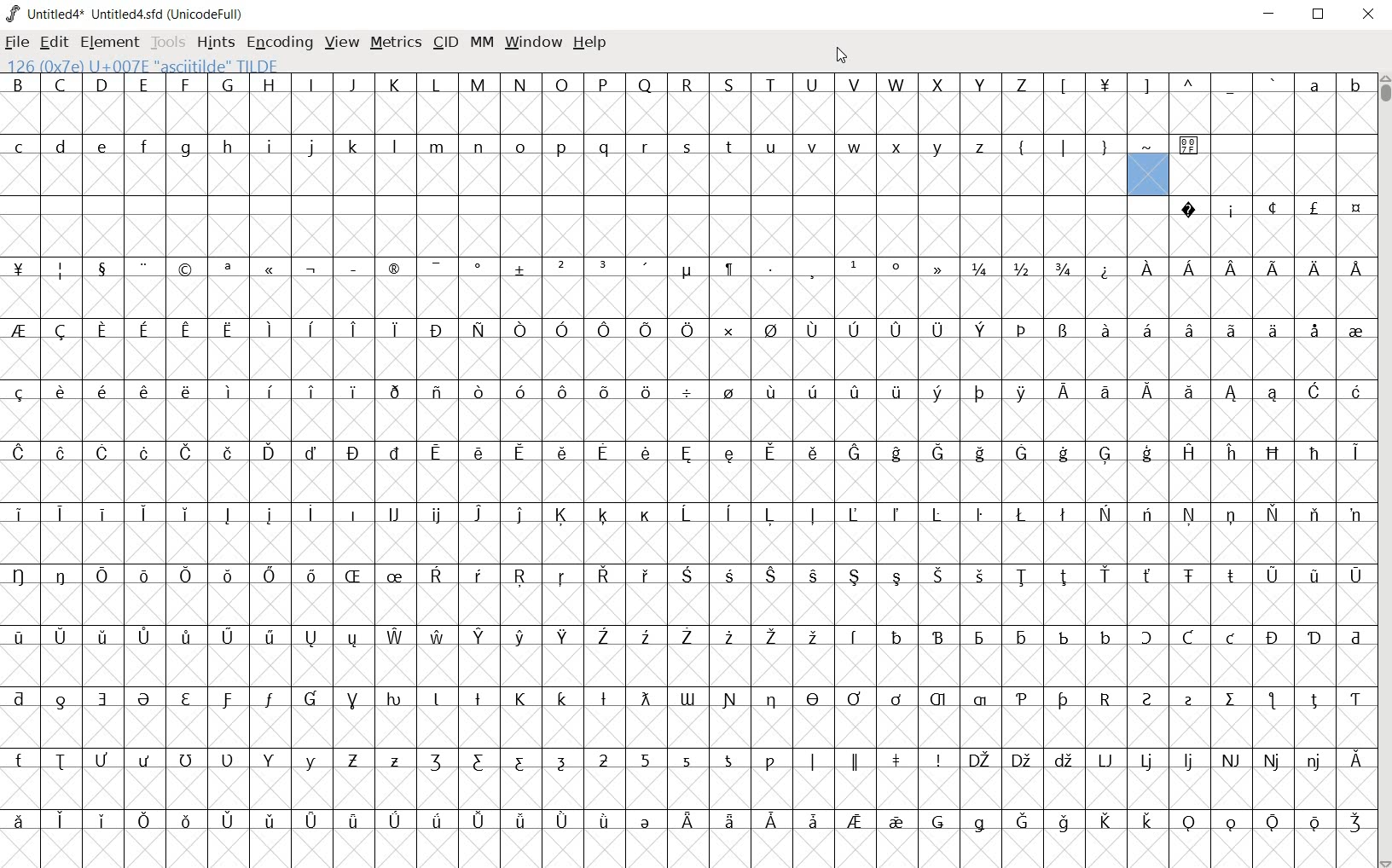 Image resolution: width=1392 pixels, height=868 pixels. What do you see at coordinates (1368, 14) in the screenshot?
I see `CLOSE` at bounding box center [1368, 14].